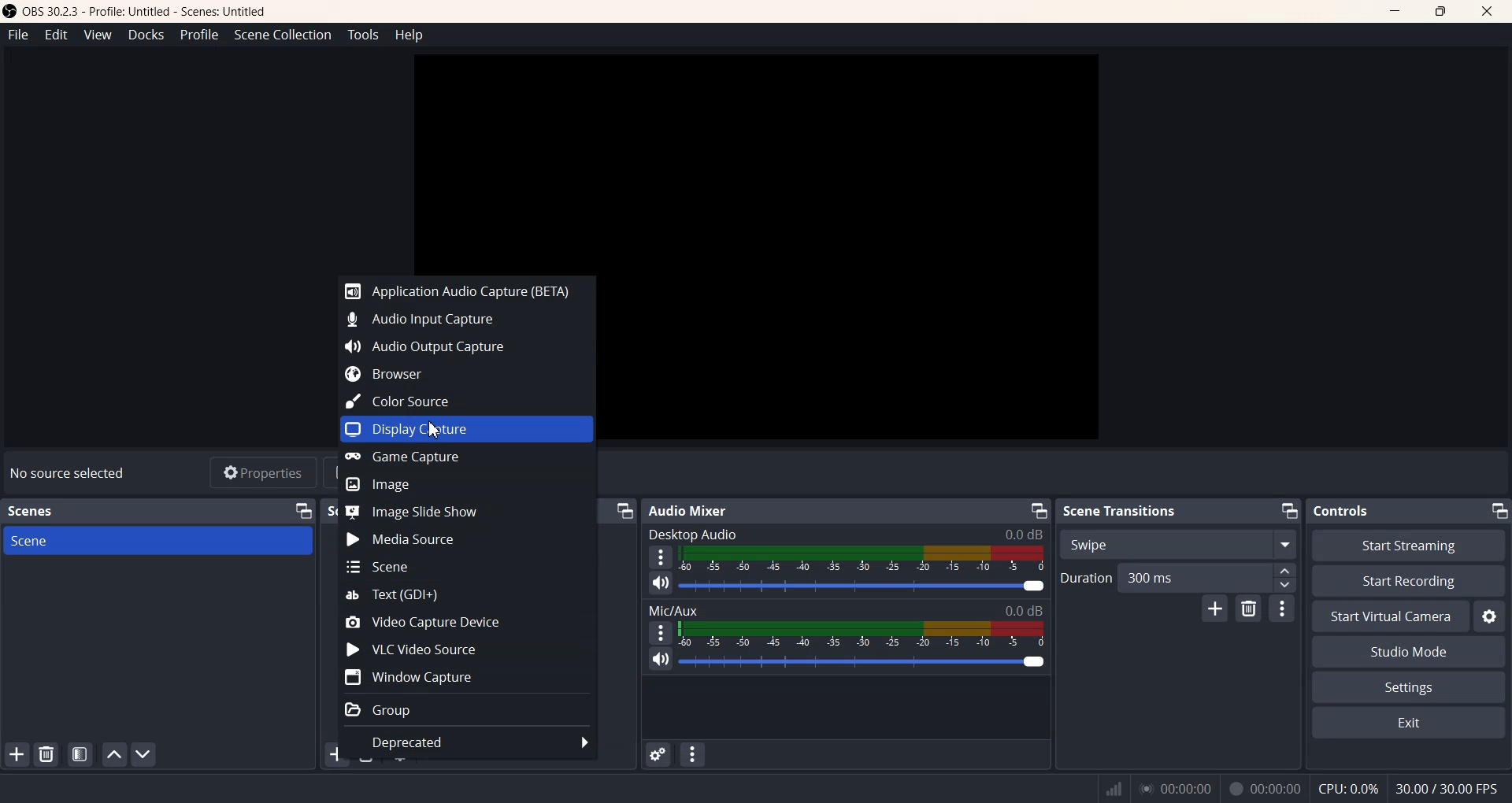  I want to click on Add Configurable transition, so click(1214, 609).